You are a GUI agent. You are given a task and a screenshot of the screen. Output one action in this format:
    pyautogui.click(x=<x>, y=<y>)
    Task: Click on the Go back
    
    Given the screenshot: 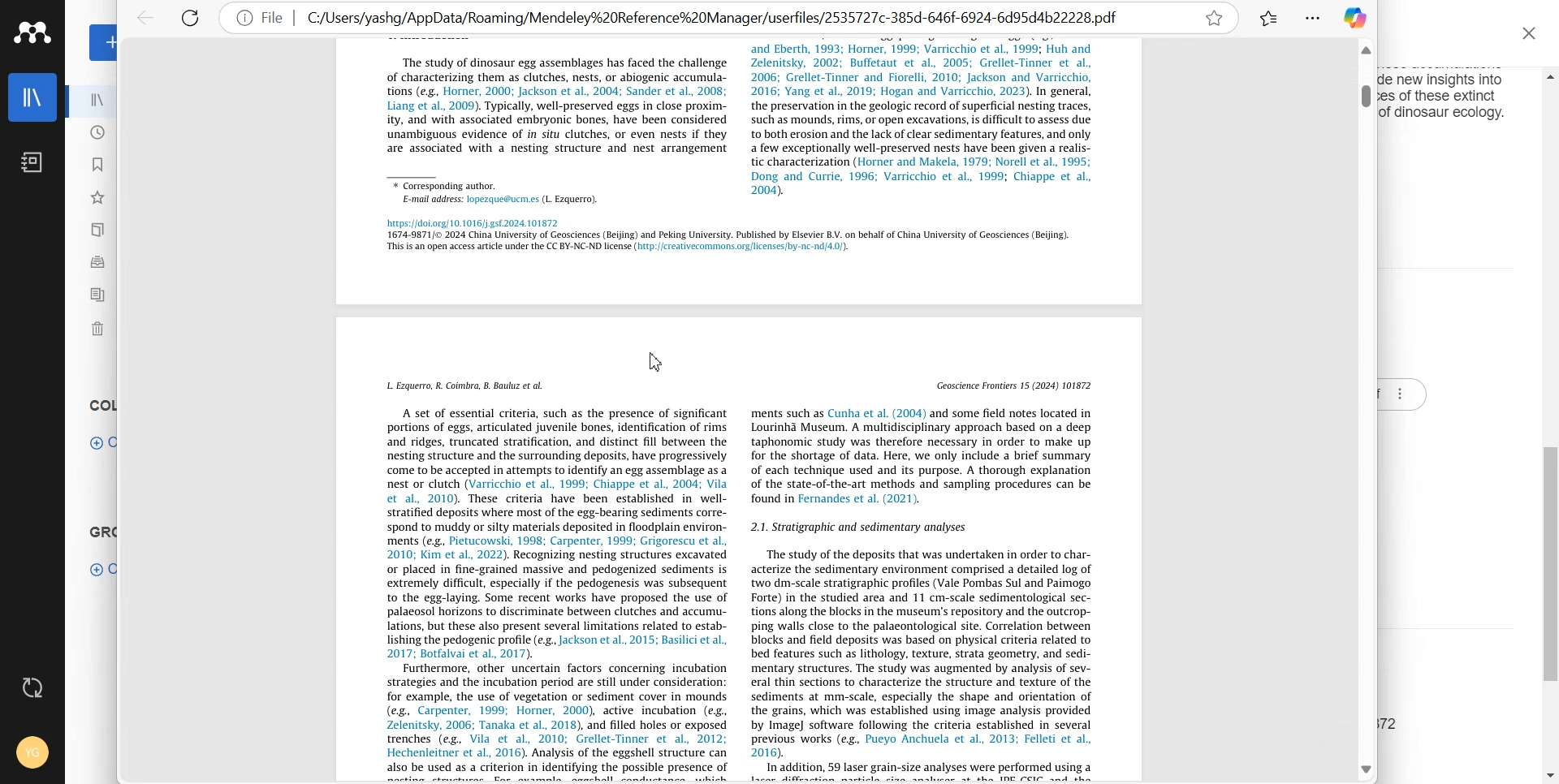 What is the action you would take?
    pyautogui.click(x=145, y=19)
    